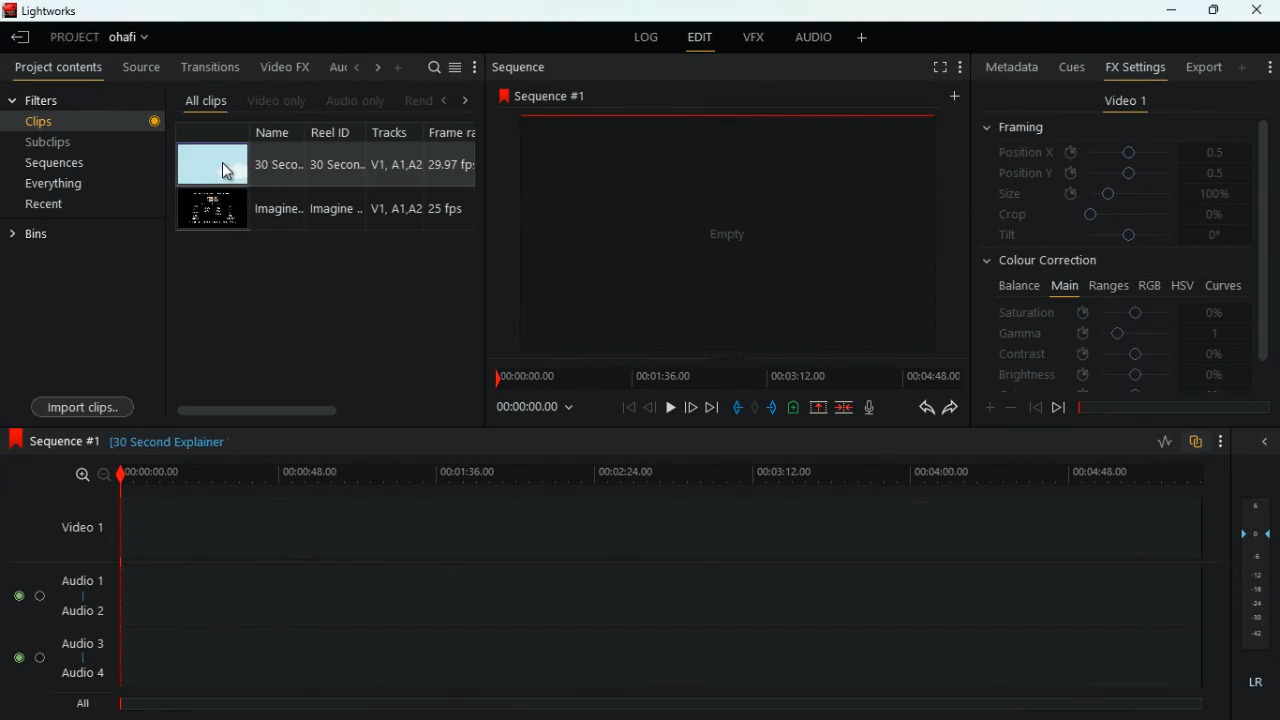 Image resolution: width=1280 pixels, height=720 pixels. I want to click on - 12 (layer), so click(1258, 574).